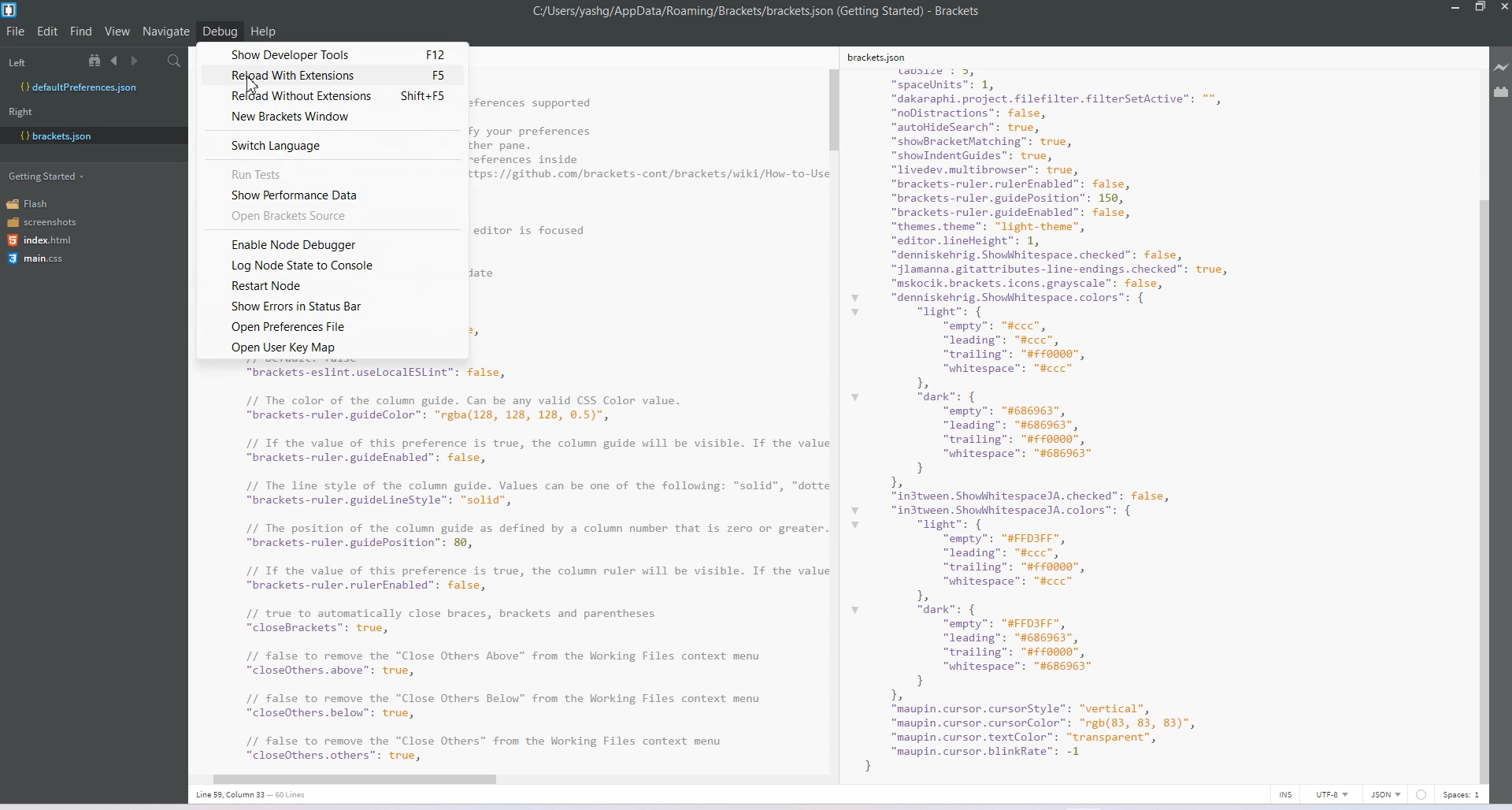  I want to click on Show Errors in Status Bar, so click(328, 306).